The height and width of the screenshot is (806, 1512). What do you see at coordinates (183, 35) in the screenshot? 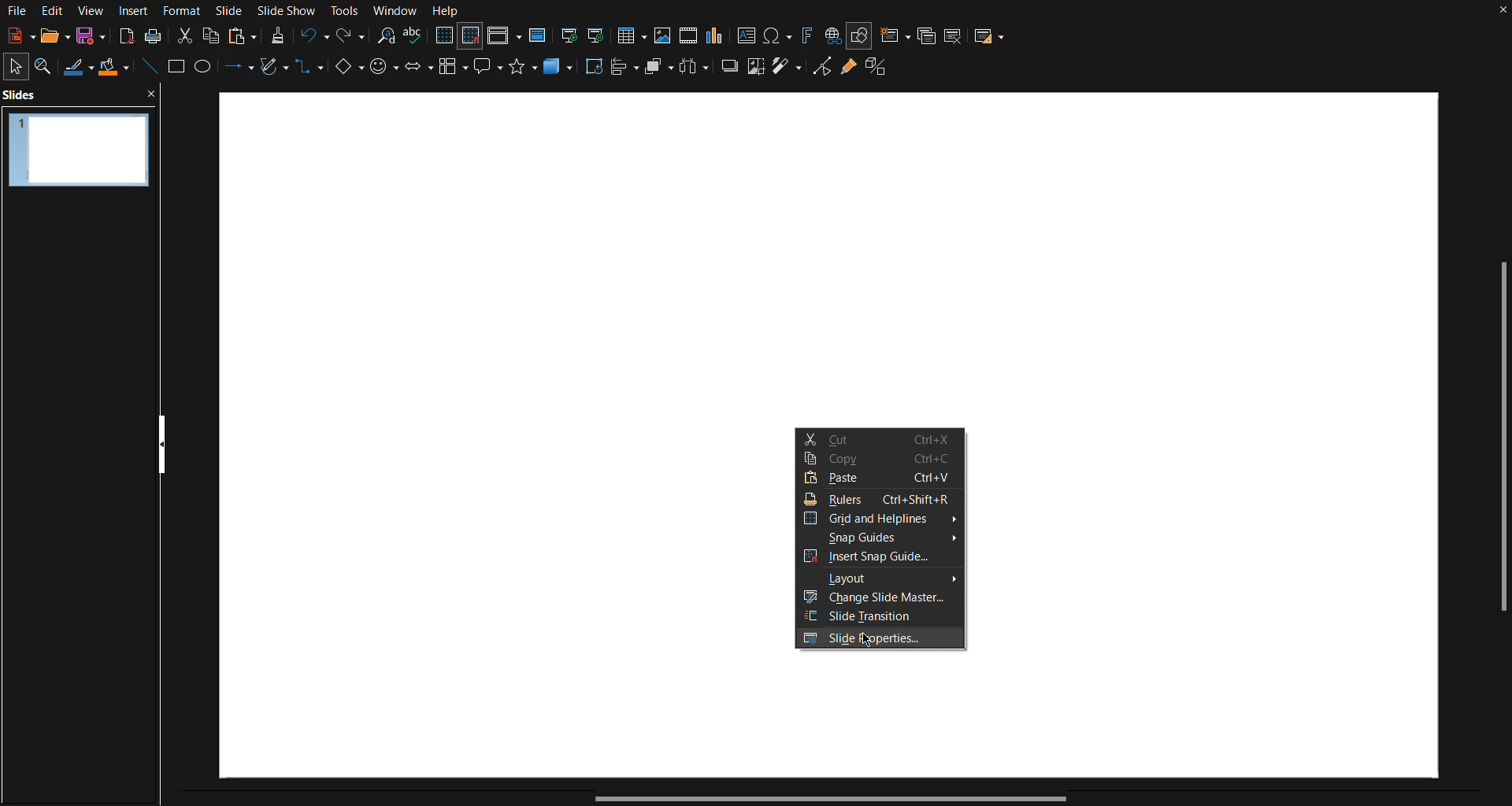
I see `Cut` at bounding box center [183, 35].